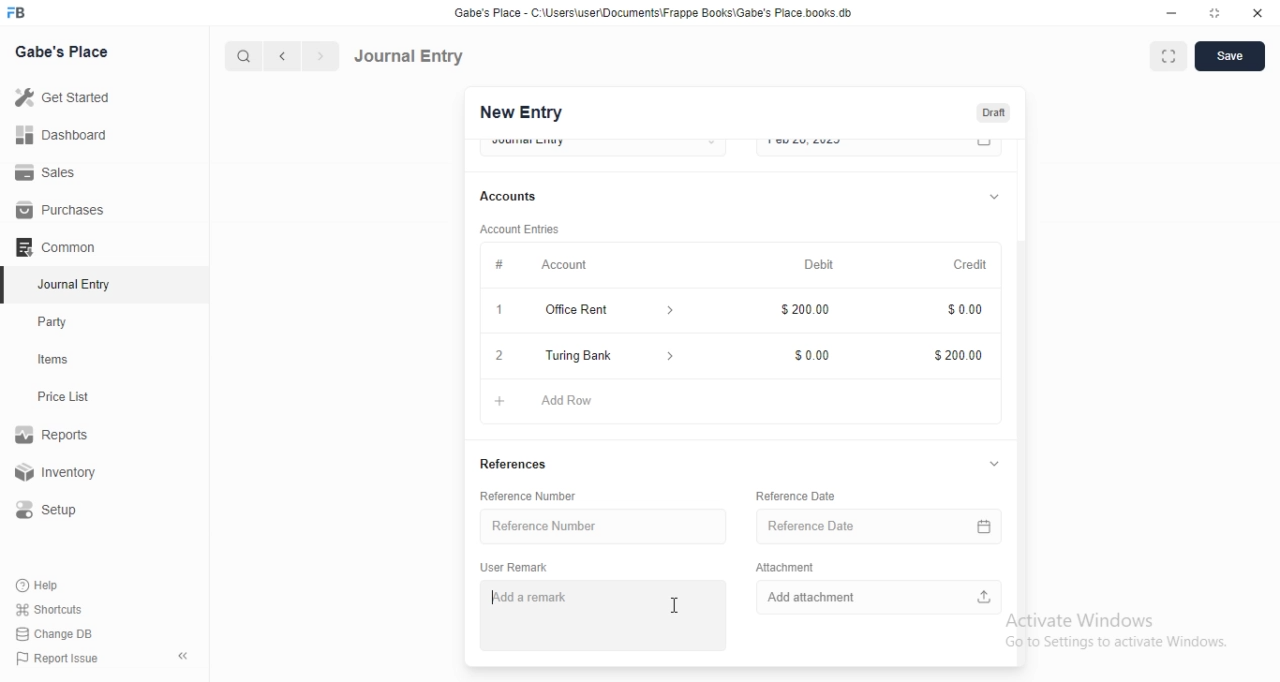  I want to click on Reference Date, so click(801, 492).